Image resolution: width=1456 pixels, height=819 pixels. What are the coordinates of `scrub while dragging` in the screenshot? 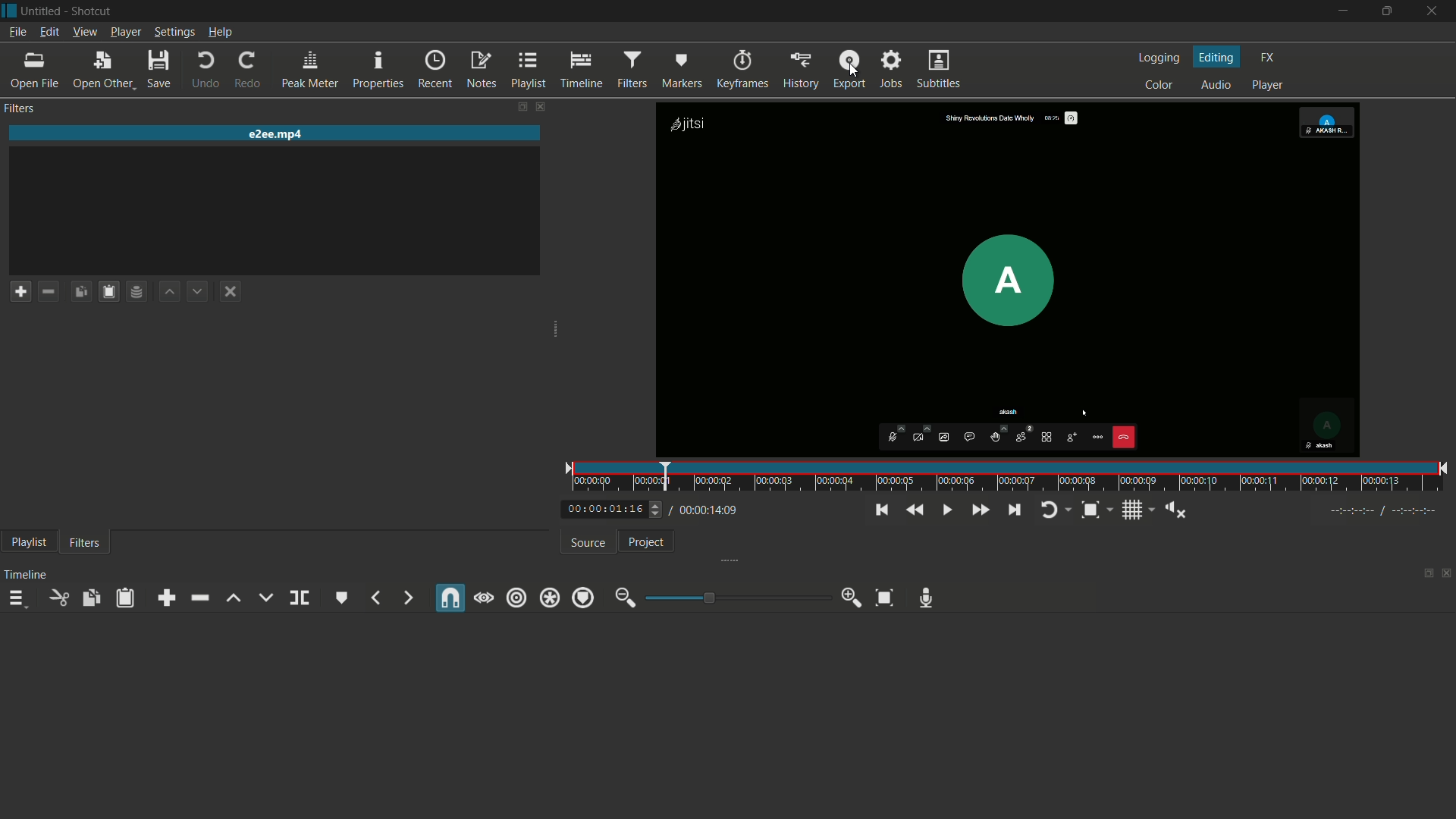 It's located at (483, 598).